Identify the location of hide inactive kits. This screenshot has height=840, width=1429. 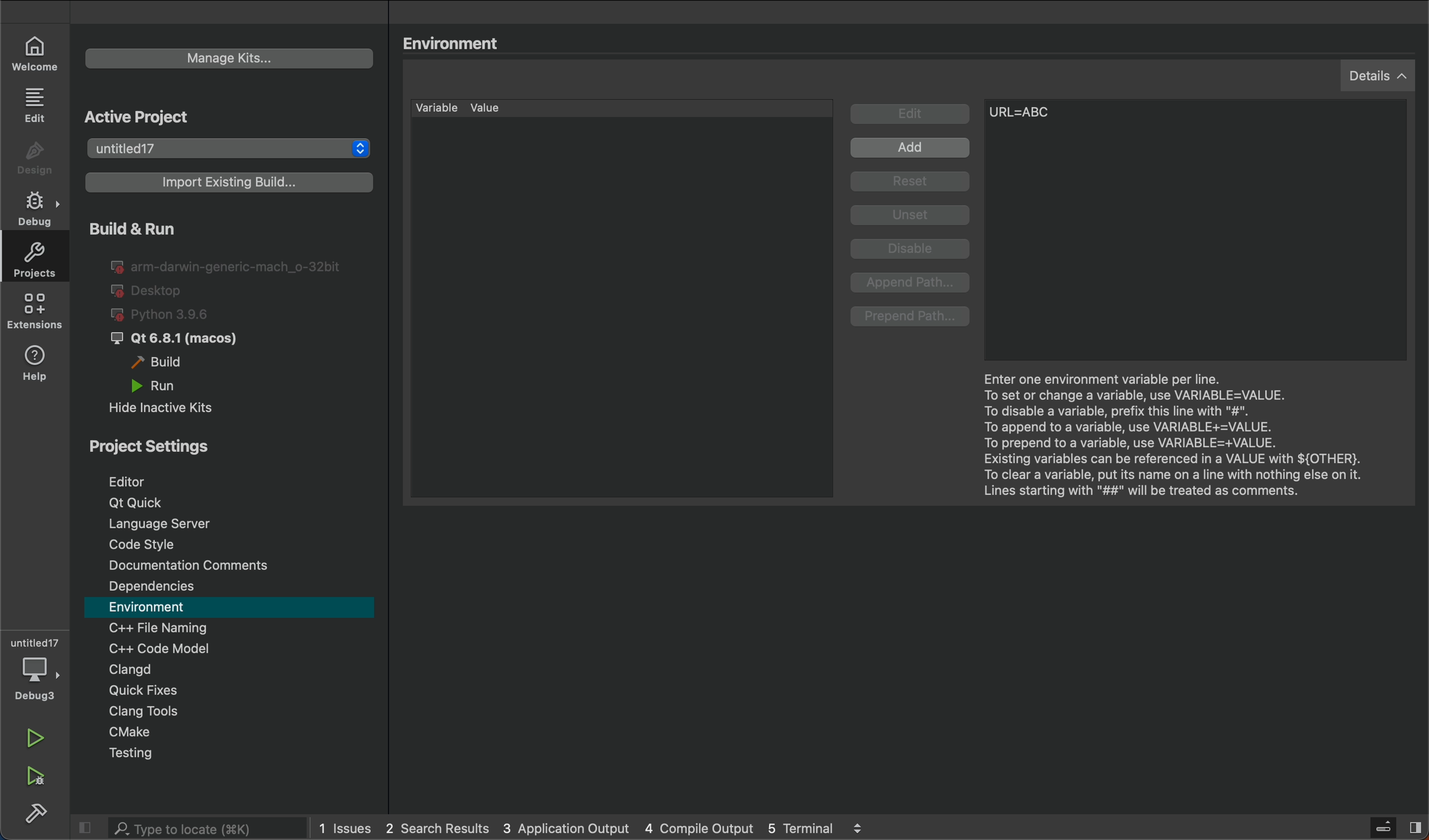
(173, 406).